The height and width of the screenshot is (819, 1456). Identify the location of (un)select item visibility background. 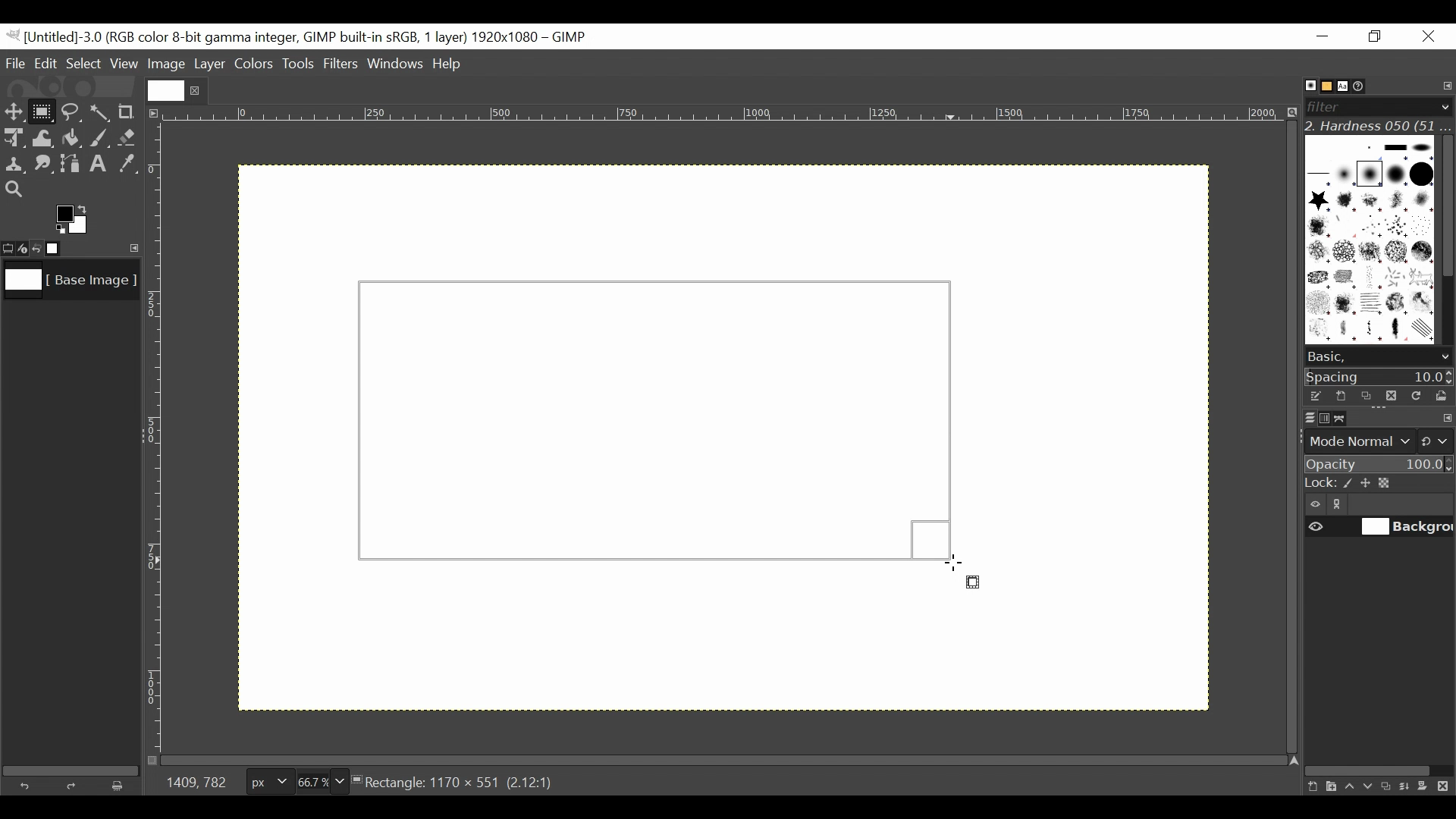
(1379, 529).